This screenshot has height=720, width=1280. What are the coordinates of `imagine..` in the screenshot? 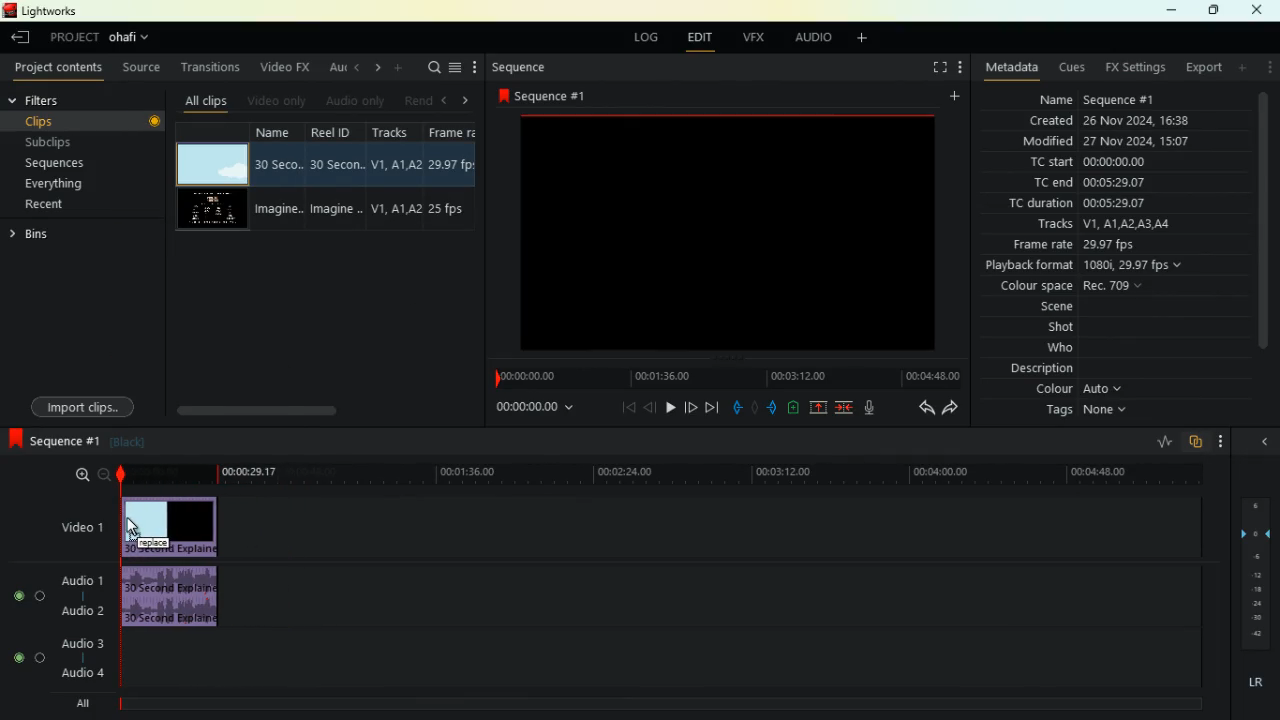 It's located at (278, 211).